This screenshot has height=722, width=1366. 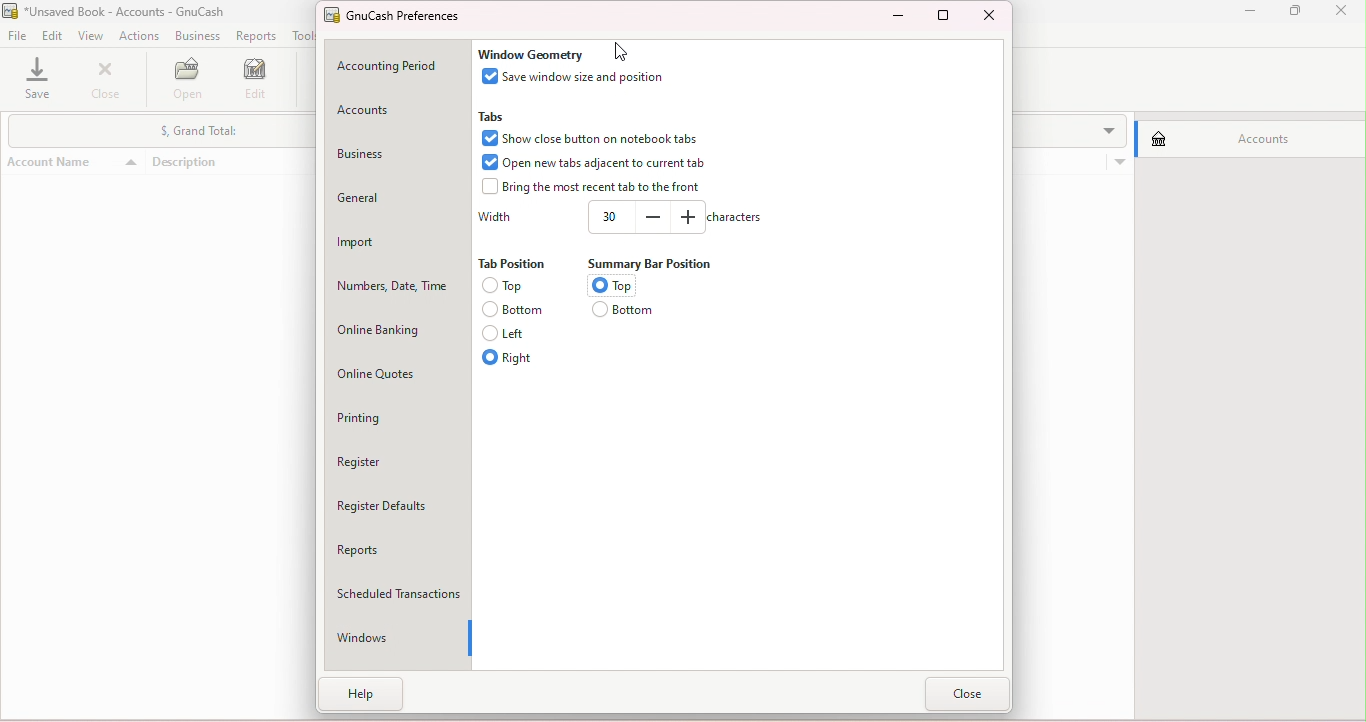 What do you see at coordinates (1302, 14) in the screenshot?
I see `Maximize` at bounding box center [1302, 14].